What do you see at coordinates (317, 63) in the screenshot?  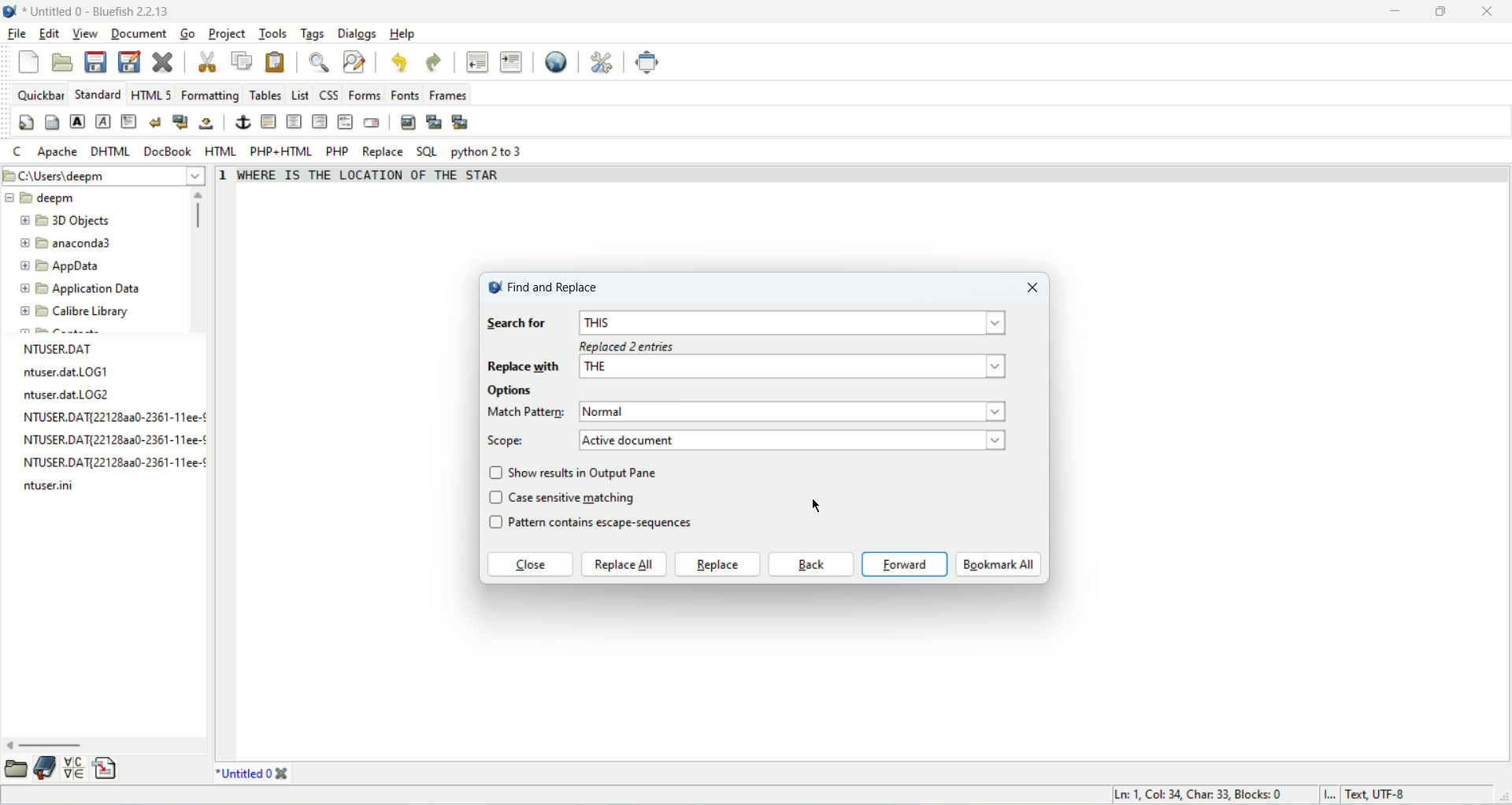 I see `find` at bounding box center [317, 63].